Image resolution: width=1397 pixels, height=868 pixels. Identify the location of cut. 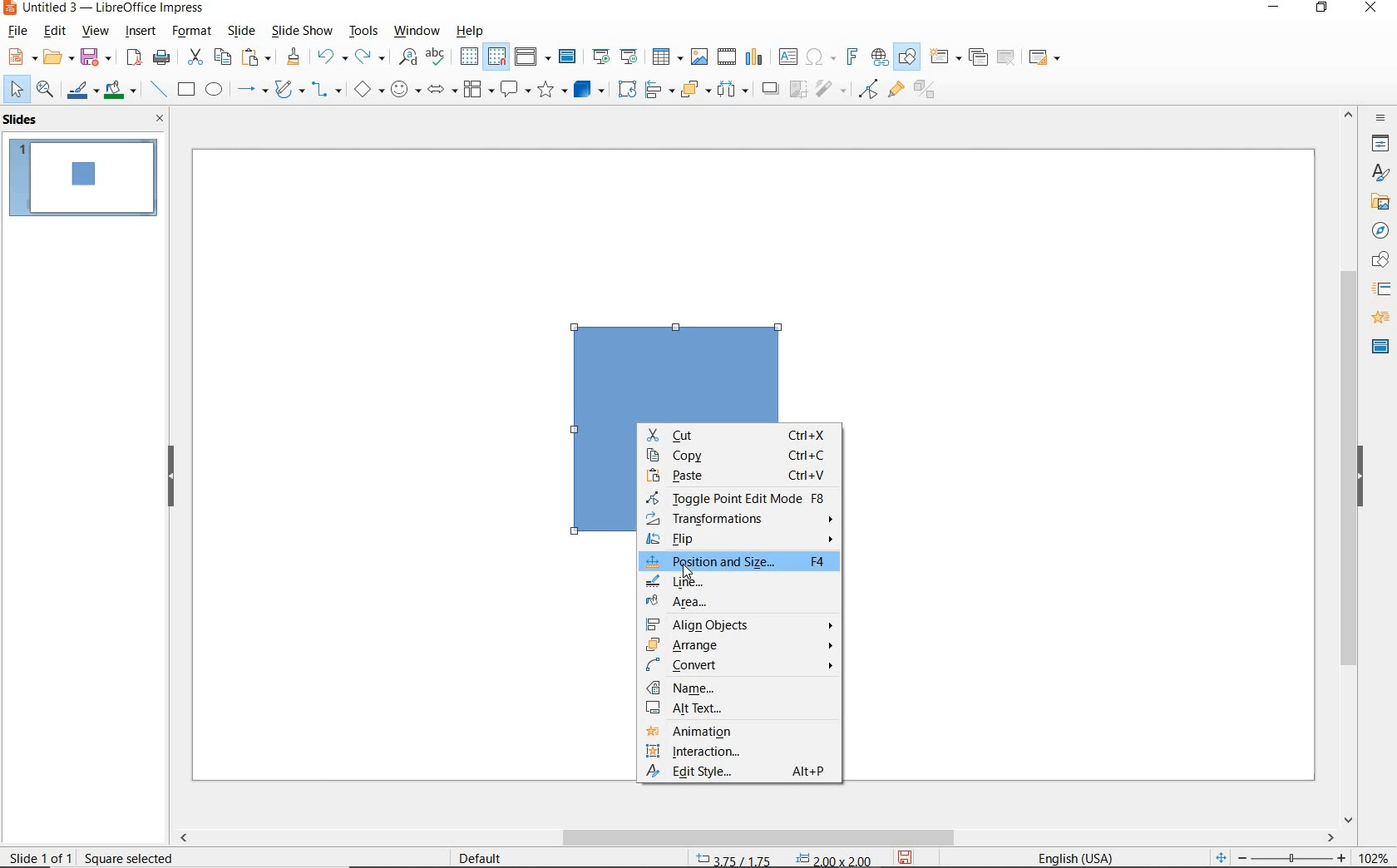
(193, 57).